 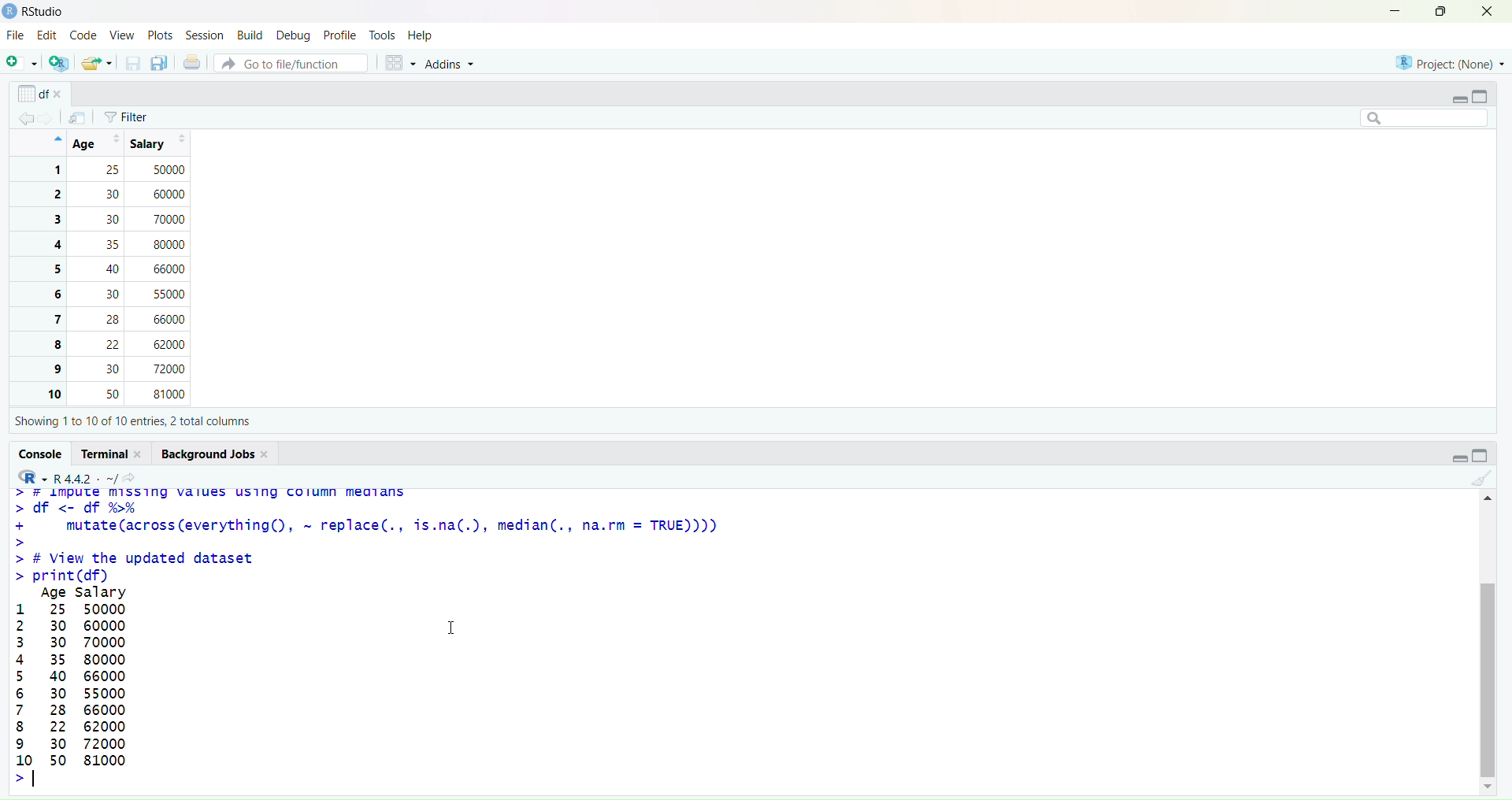 What do you see at coordinates (132, 476) in the screenshot?
I see `view the current working directory` at bounding box center [132, 476].